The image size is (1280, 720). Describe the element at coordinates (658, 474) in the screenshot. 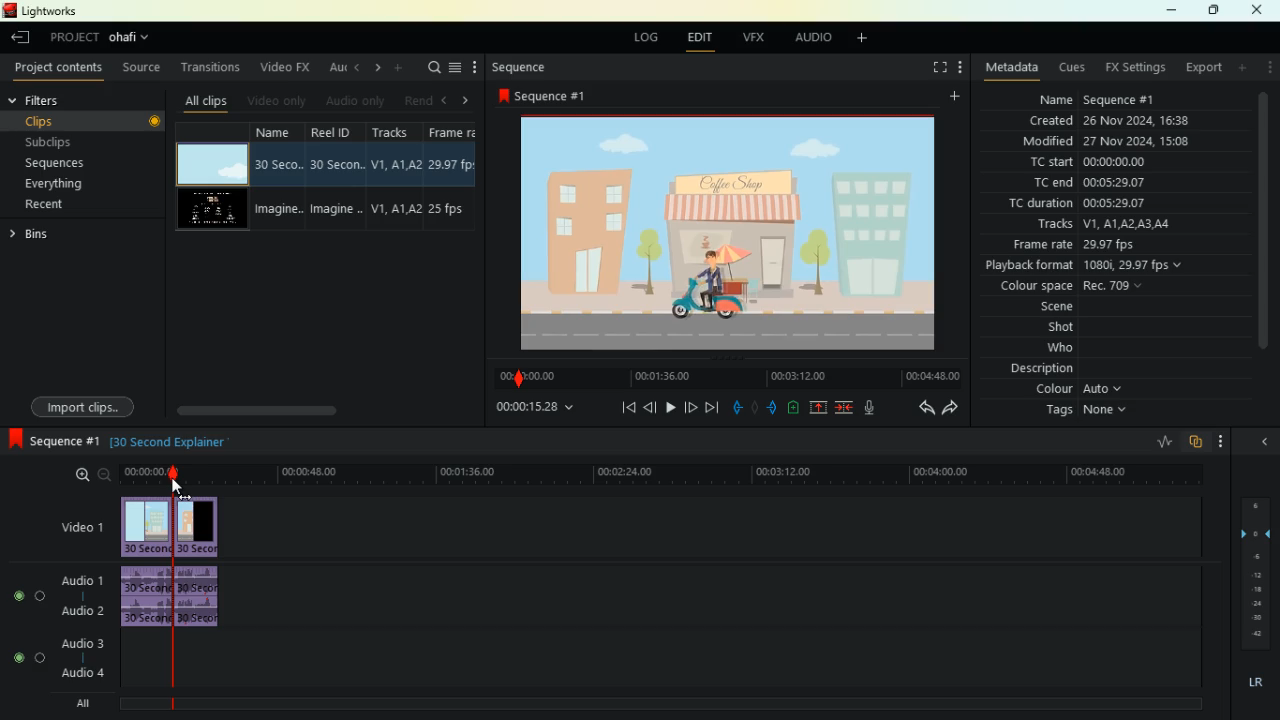

I see `` at that location.